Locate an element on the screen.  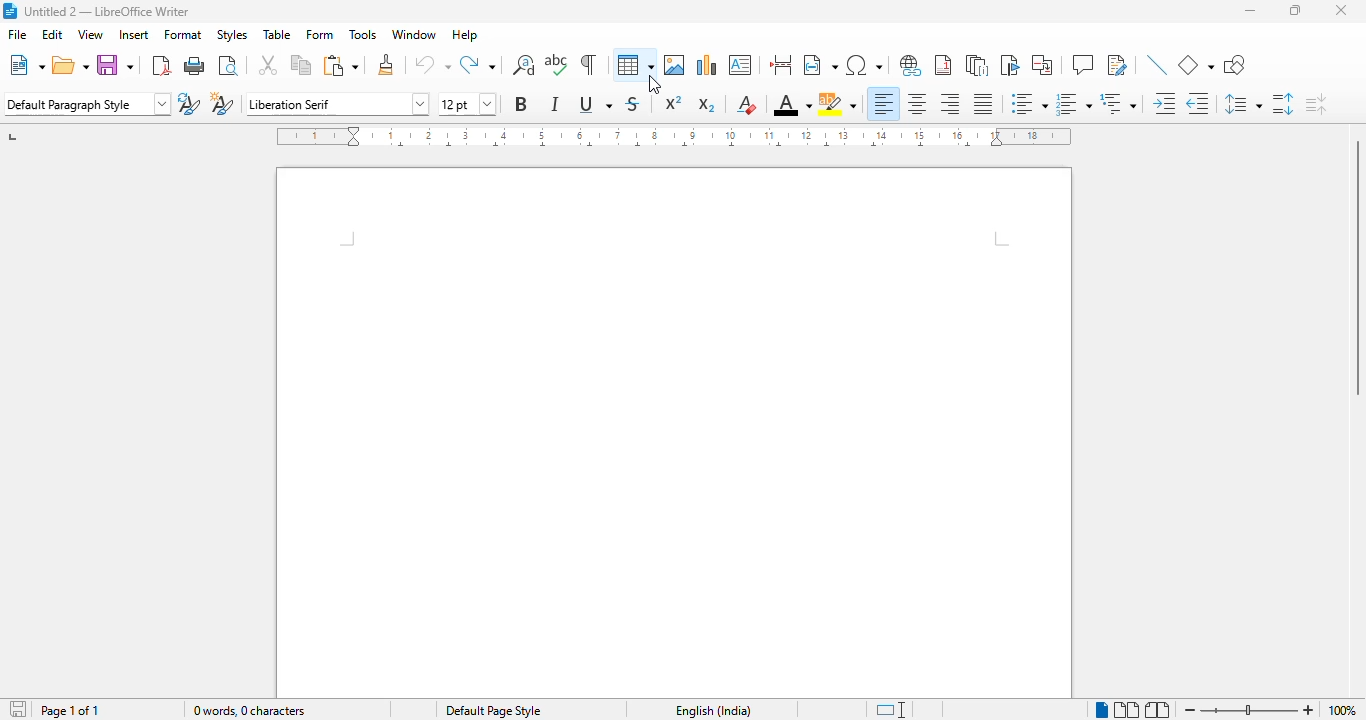
undo is located at coordinates (433, 65).